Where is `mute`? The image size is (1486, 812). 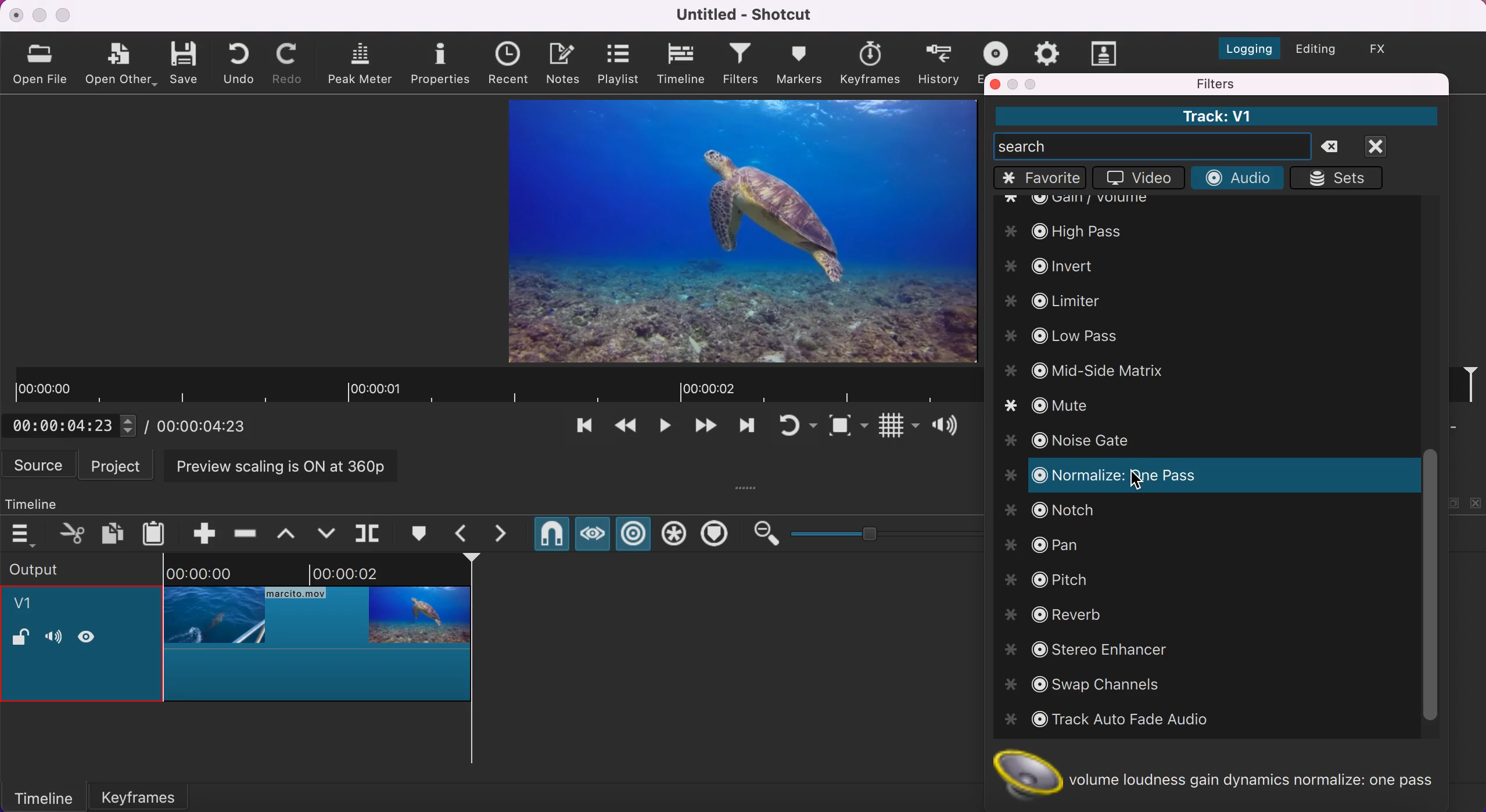
mute is located at coordinates (1061, 408).